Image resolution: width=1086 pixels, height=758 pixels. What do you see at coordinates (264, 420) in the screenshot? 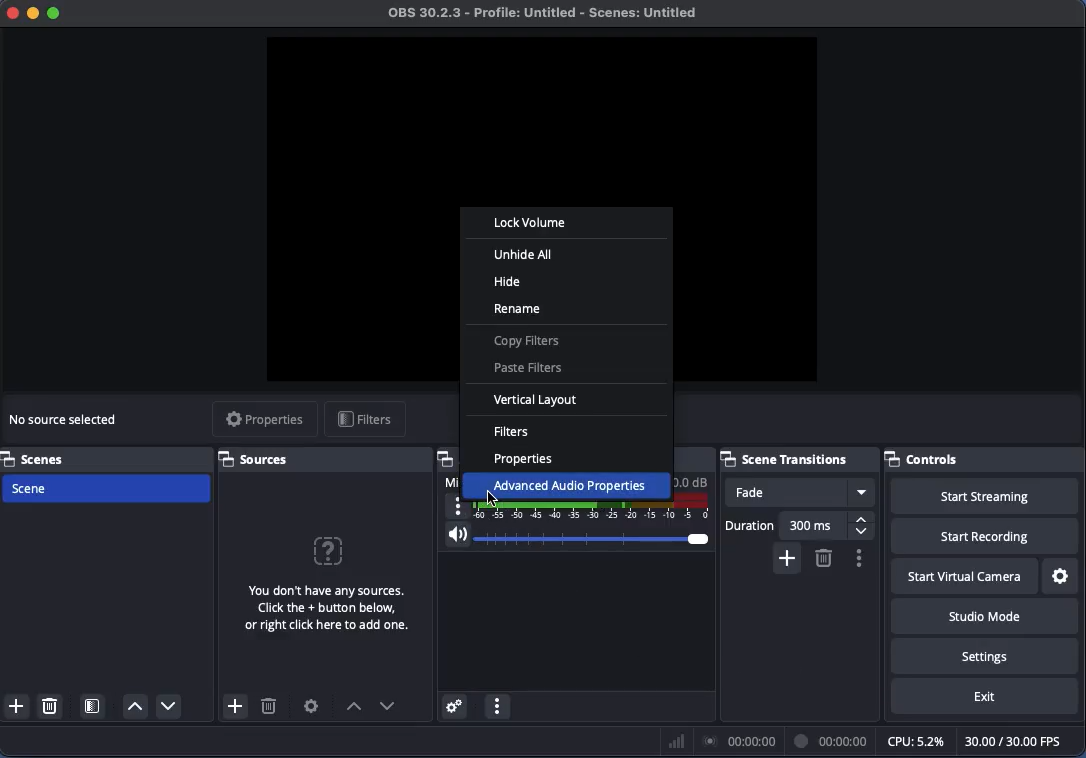
I see `Properties` at bounding box center [264, 420].